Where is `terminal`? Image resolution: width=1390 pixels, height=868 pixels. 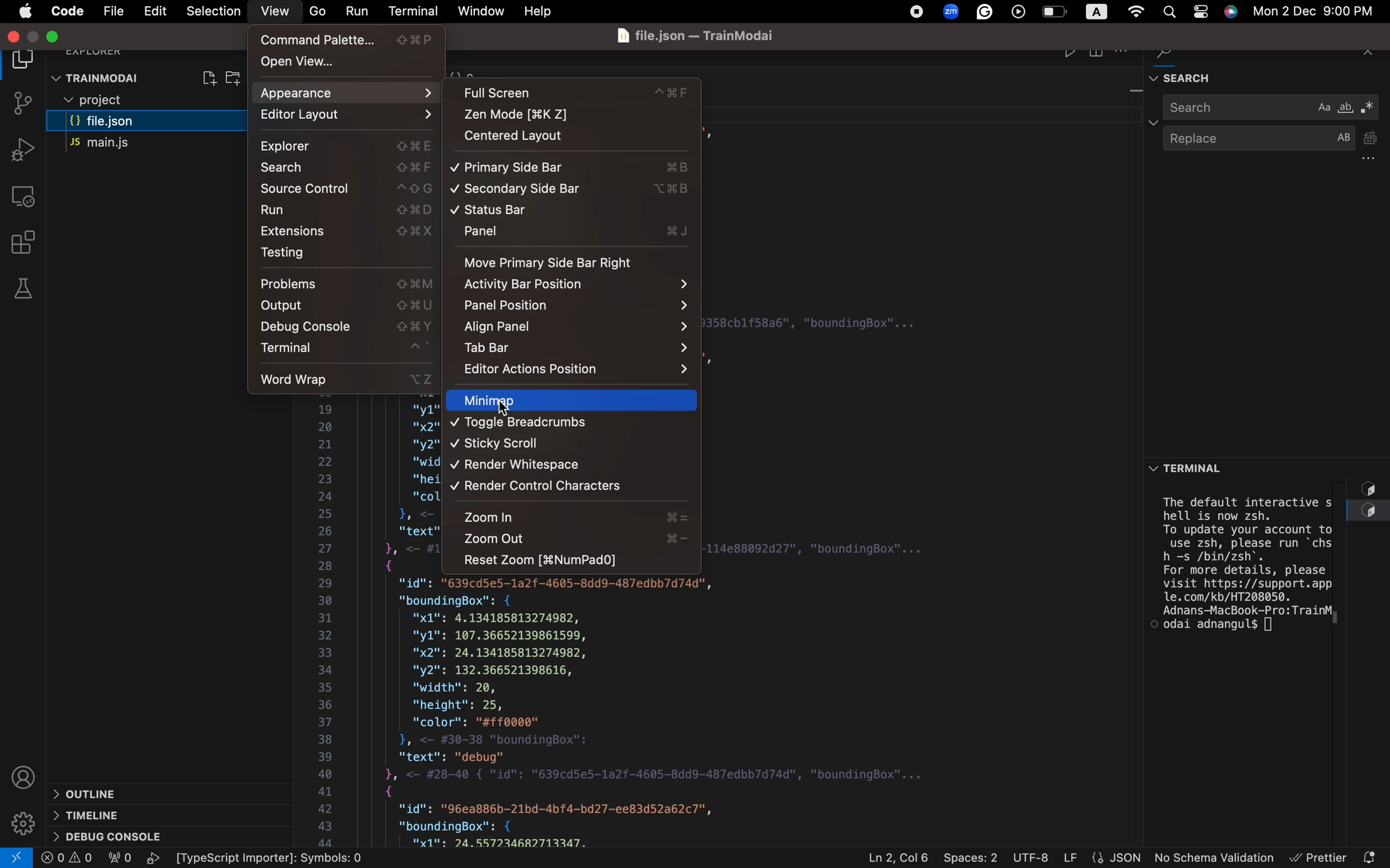
terminal is located at coordinates (1191, 457).